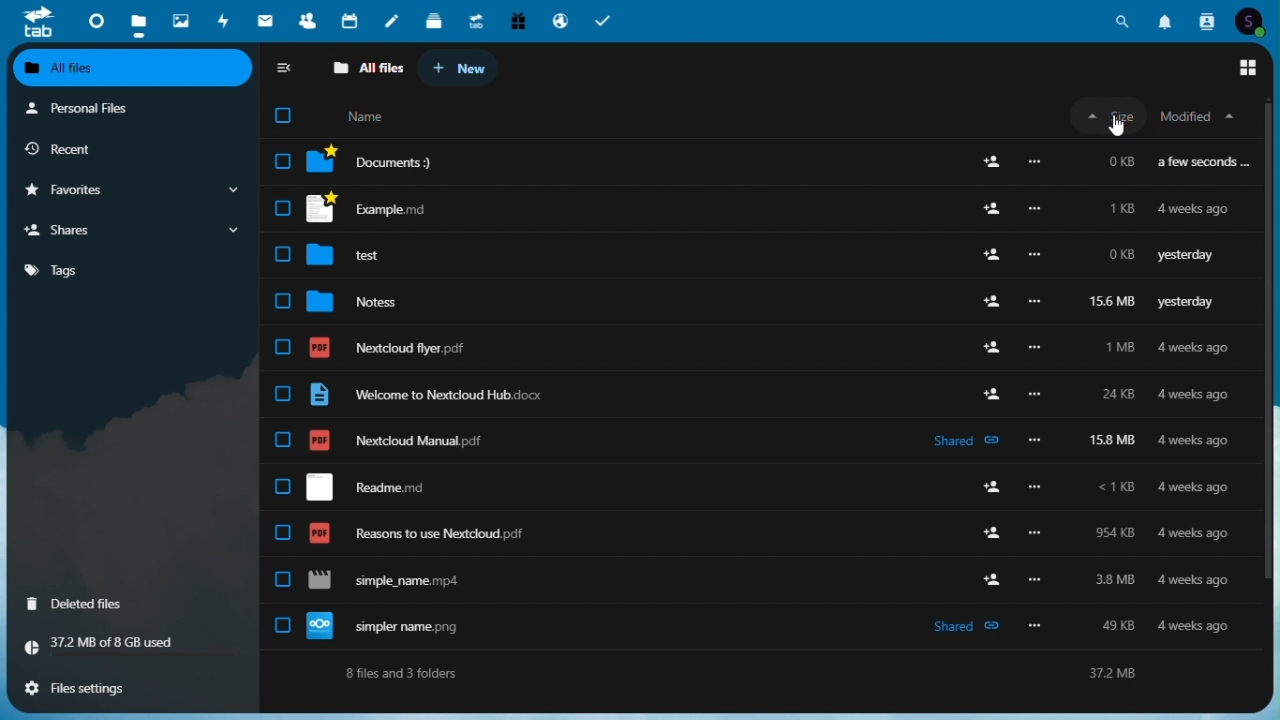 The height and width of the screenshot is (720, 1280). Describe the element at coordinates (560, 21) in the screenshot. I see `email hosting` at that location.